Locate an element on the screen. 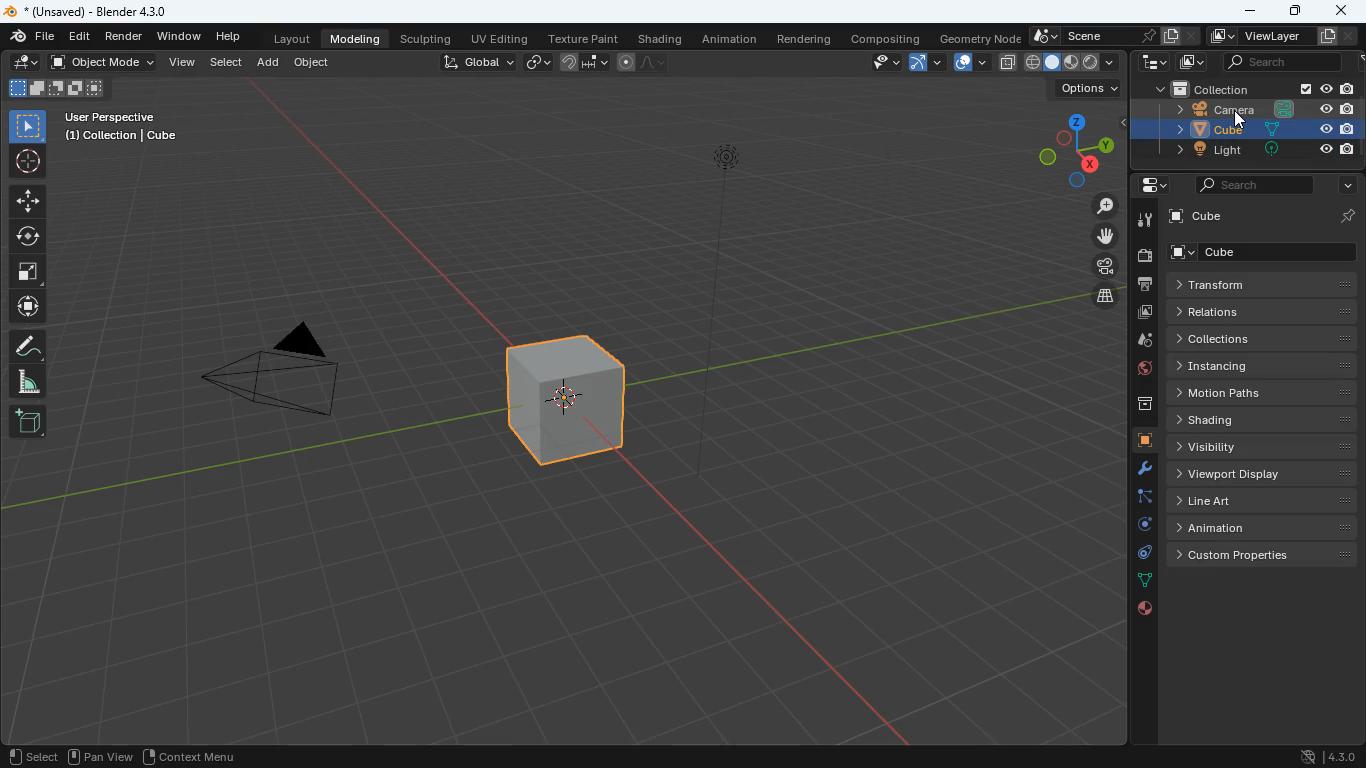  arc is located at coordinates (929, 64).